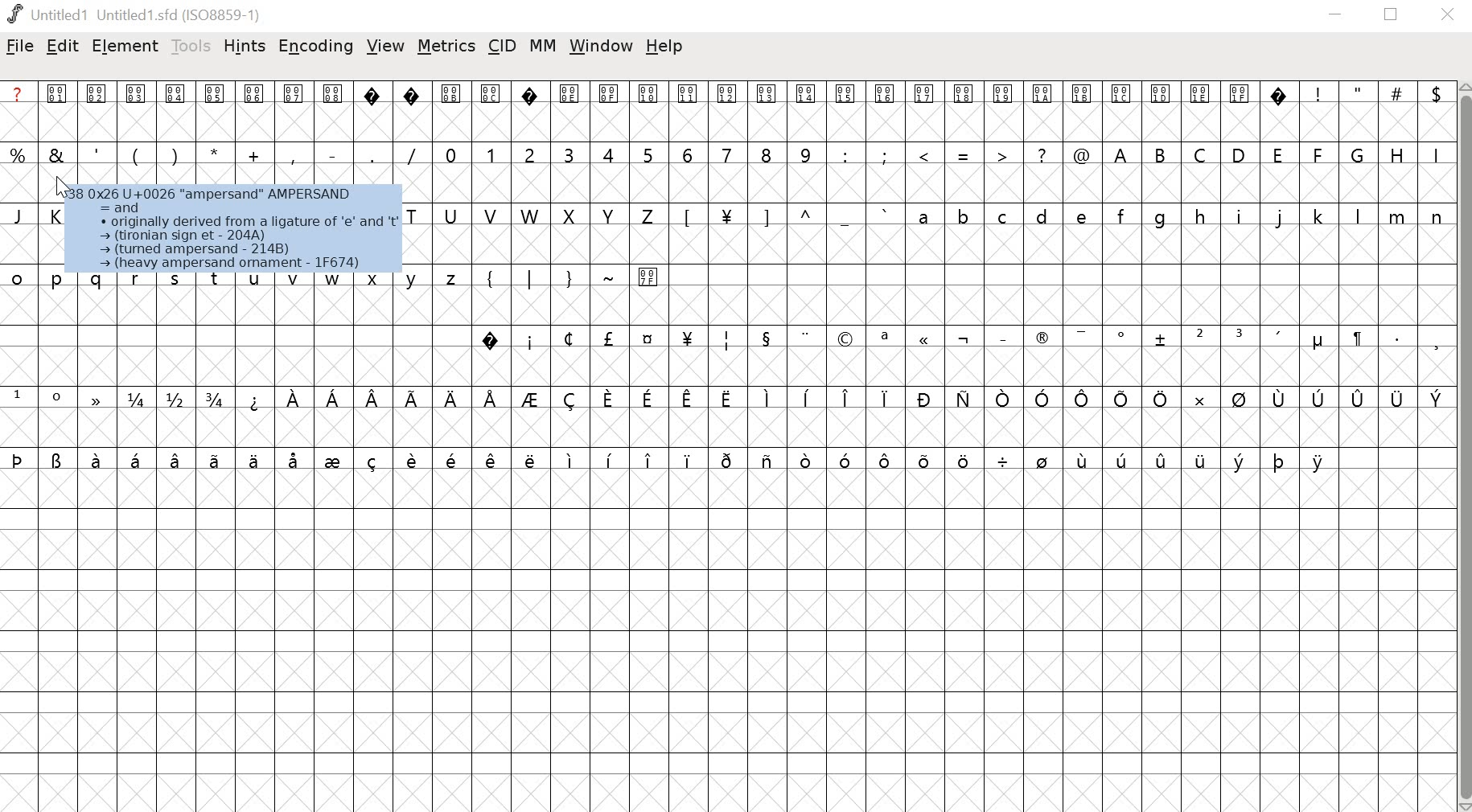  Describe the element at coordinates (1201, 215) in the screenshot. I see `h` at that location.